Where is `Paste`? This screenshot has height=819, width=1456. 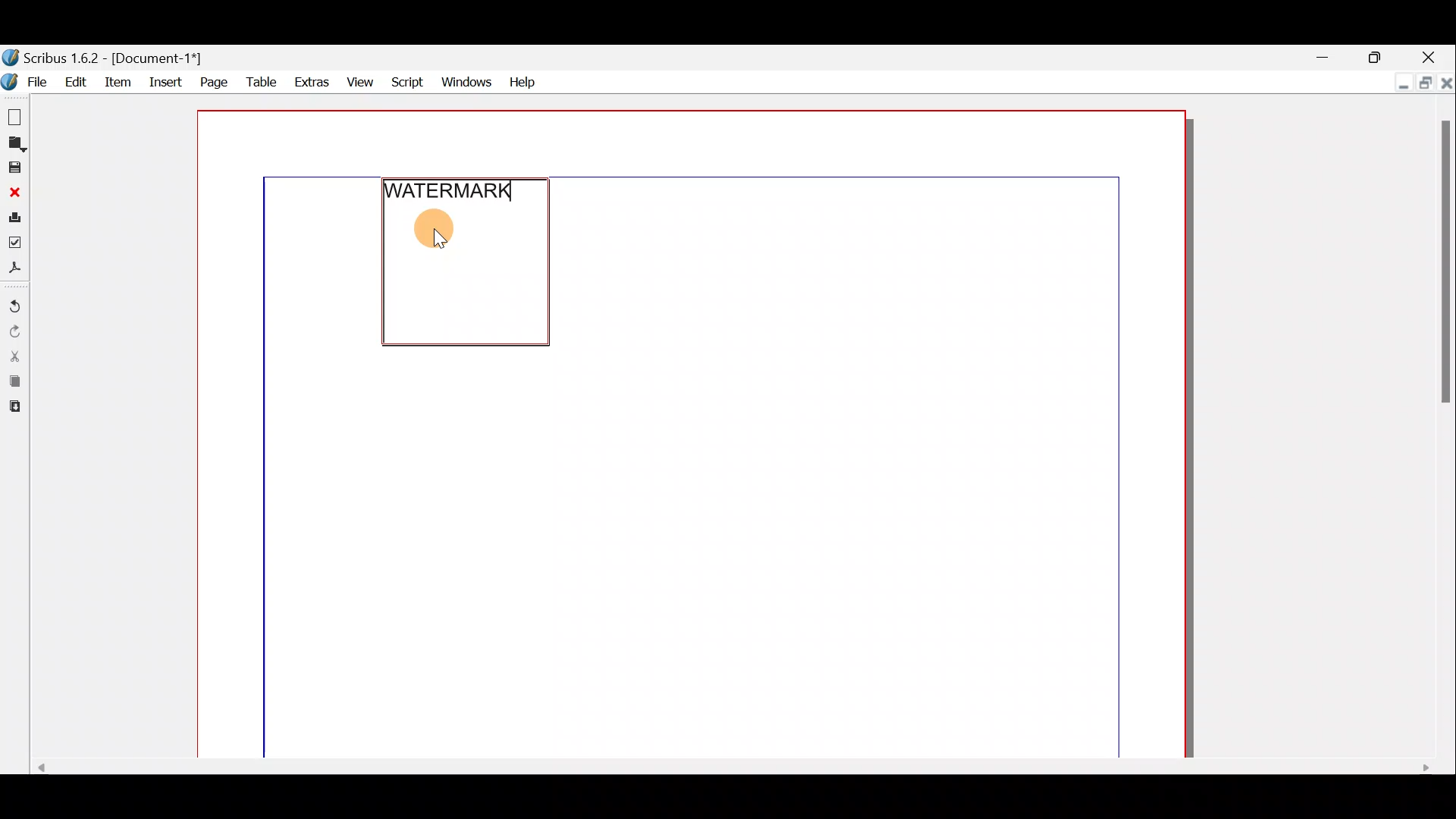
Paste is located at coordinates (13, 409).